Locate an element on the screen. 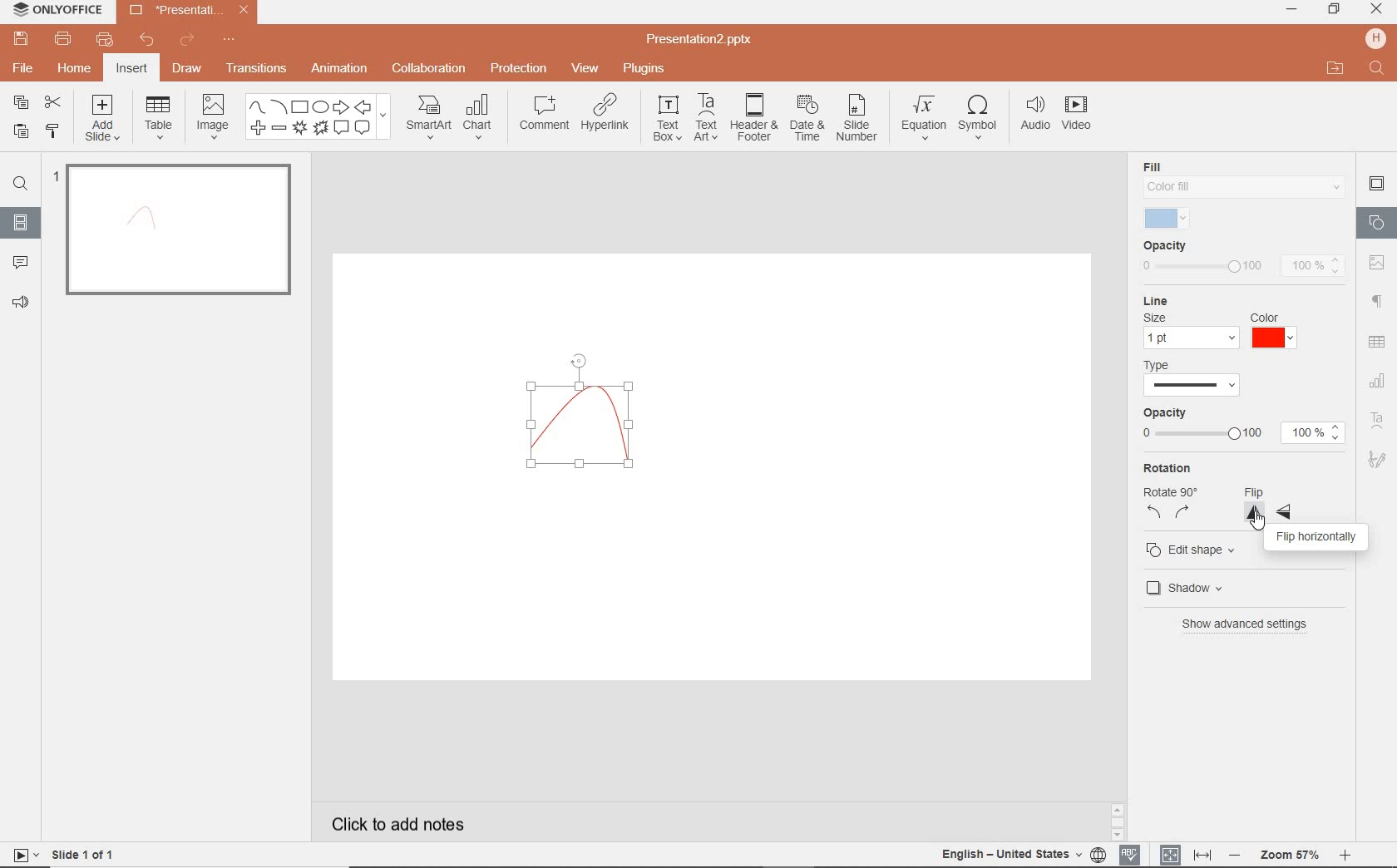  rotate left is located at coordinates (1148, 511).